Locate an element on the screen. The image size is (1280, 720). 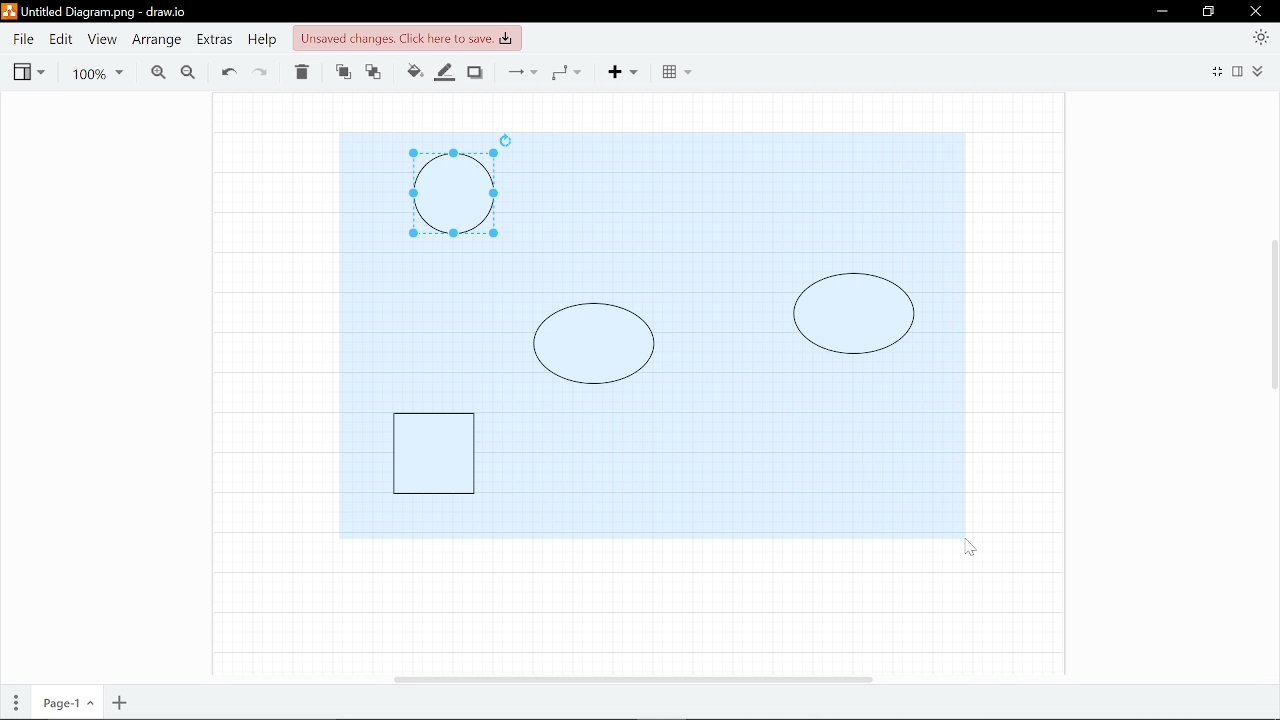
Edit is located at coordinates (59, 39).